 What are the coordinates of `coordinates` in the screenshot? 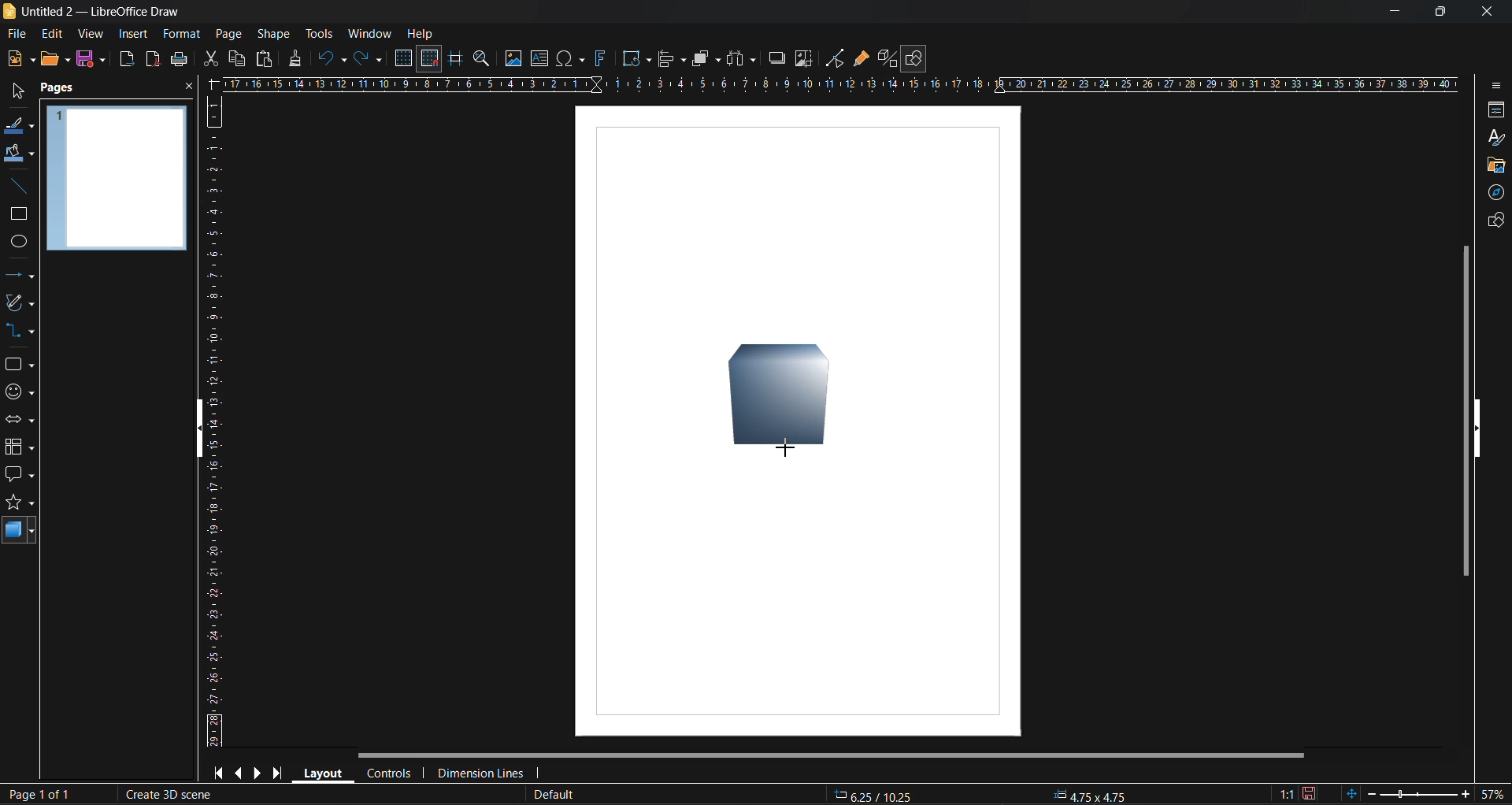 It's located at (988, 794).